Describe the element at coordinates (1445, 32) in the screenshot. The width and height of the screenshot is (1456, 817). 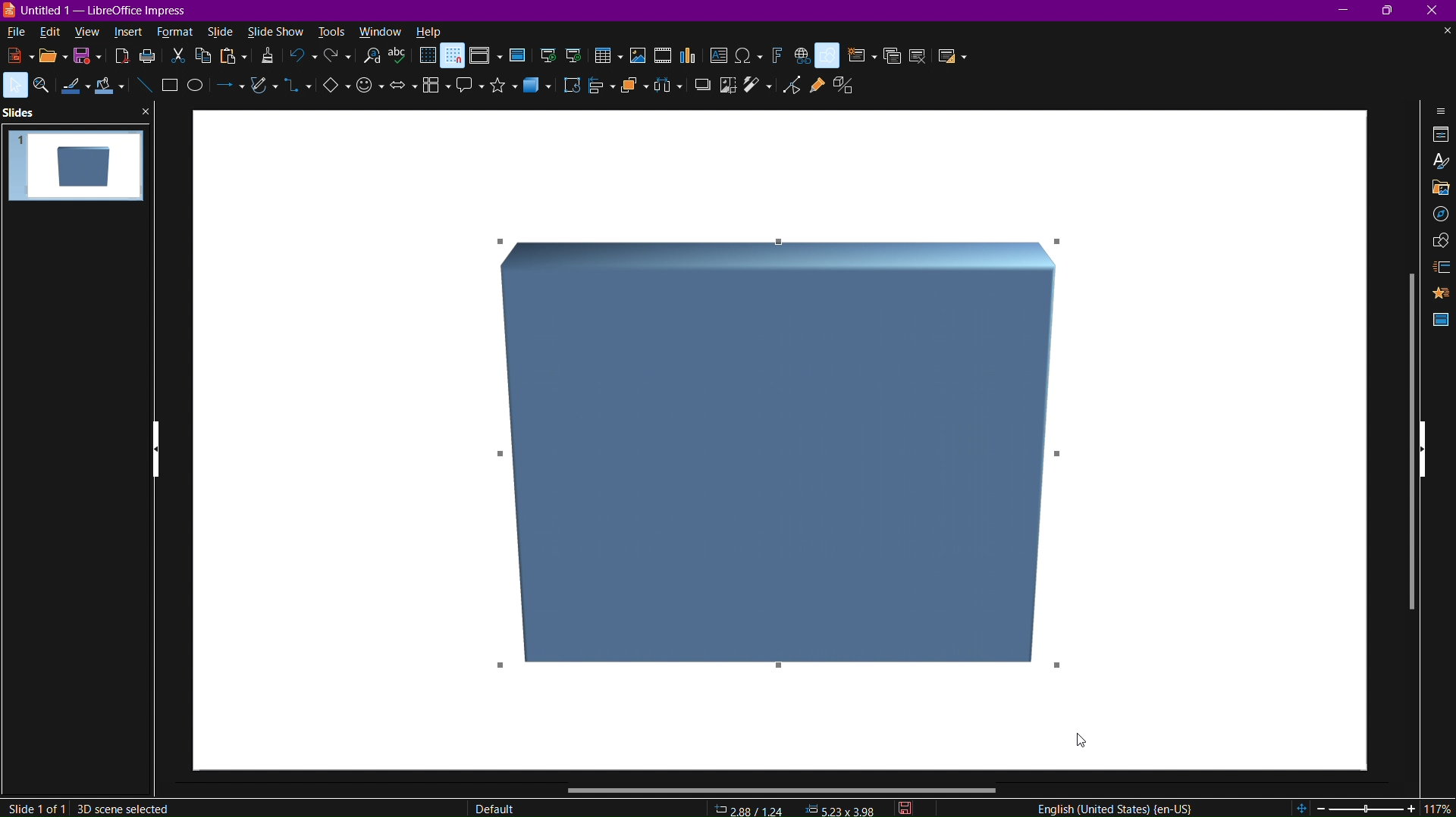
I see `close document` at that location.